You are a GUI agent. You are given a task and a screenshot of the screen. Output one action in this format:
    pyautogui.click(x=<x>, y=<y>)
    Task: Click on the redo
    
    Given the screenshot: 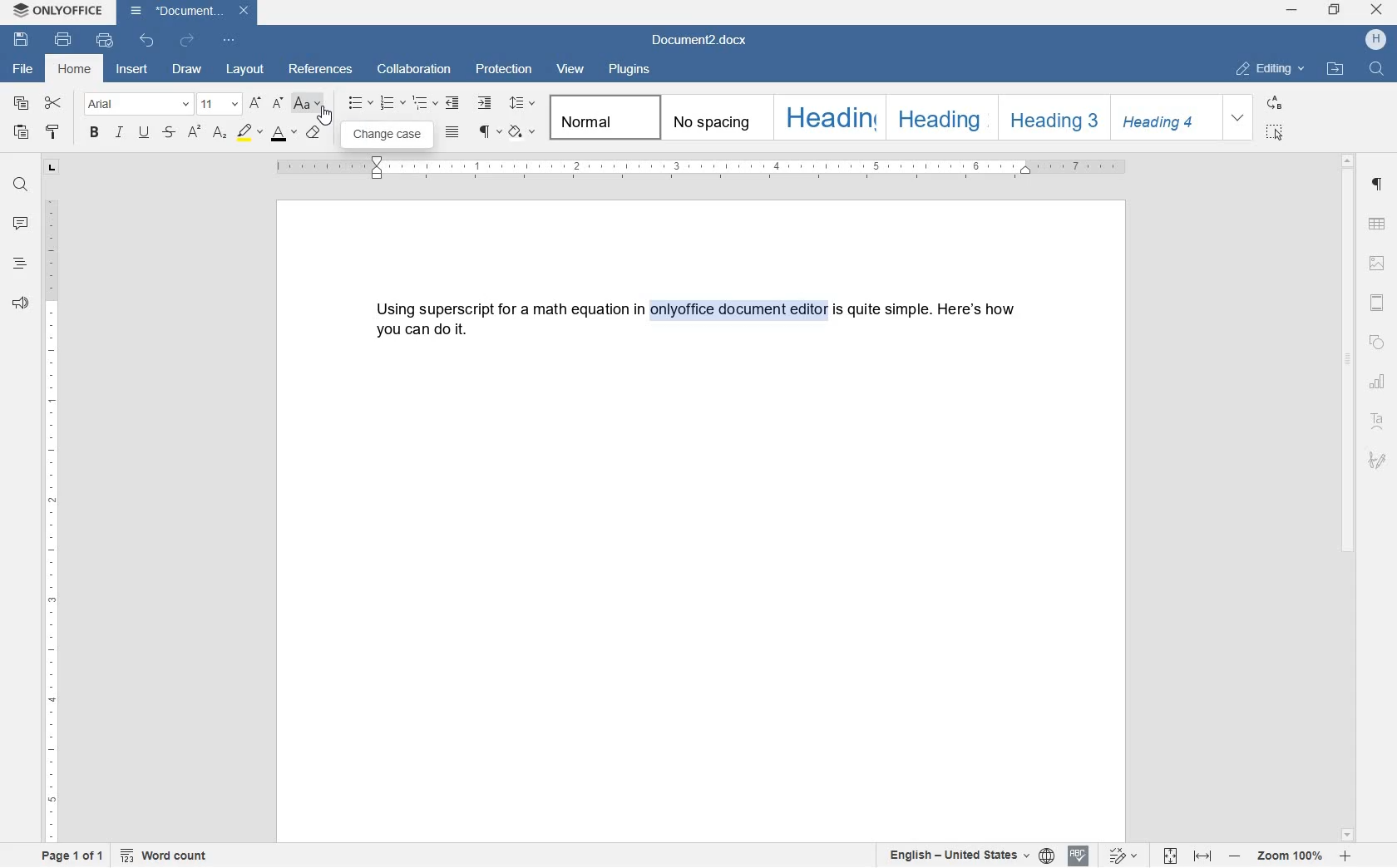 What is the action you would take?
    pyautogui.click(x=185, y=40)
    